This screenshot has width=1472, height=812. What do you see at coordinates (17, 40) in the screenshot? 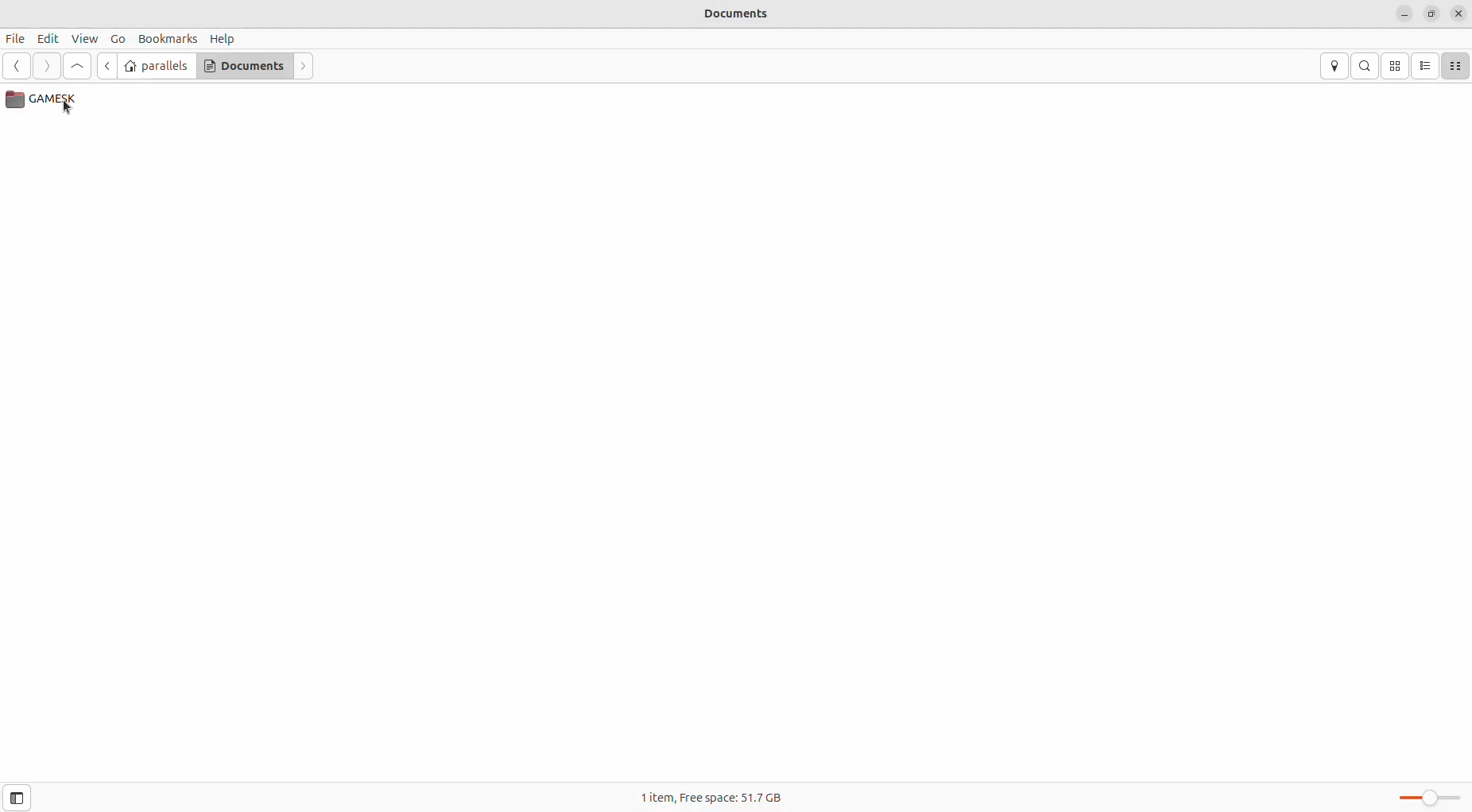
I see `File` at bounding box center [17, 40].